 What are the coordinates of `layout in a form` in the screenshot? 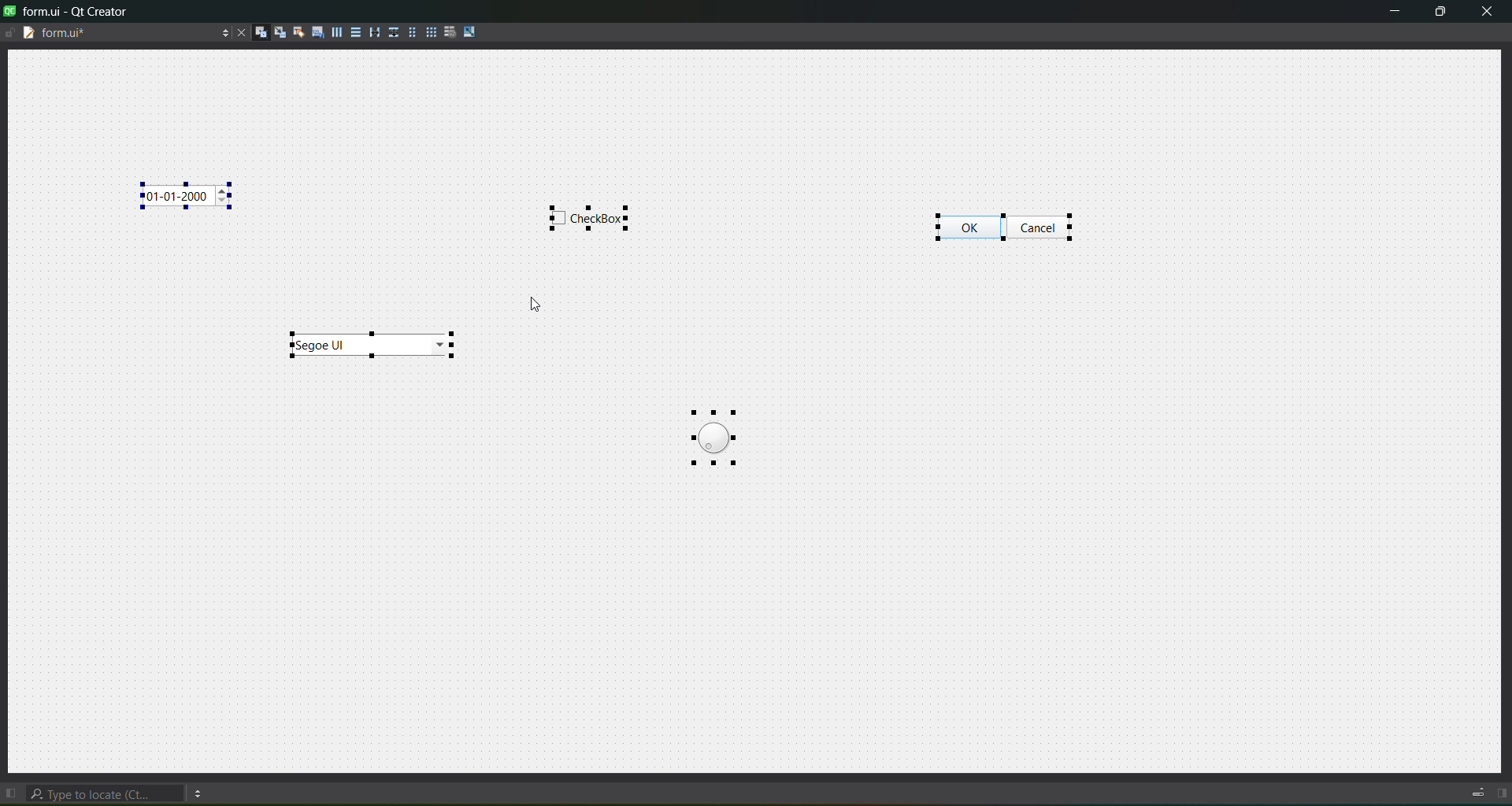 It's located at (411, 31).